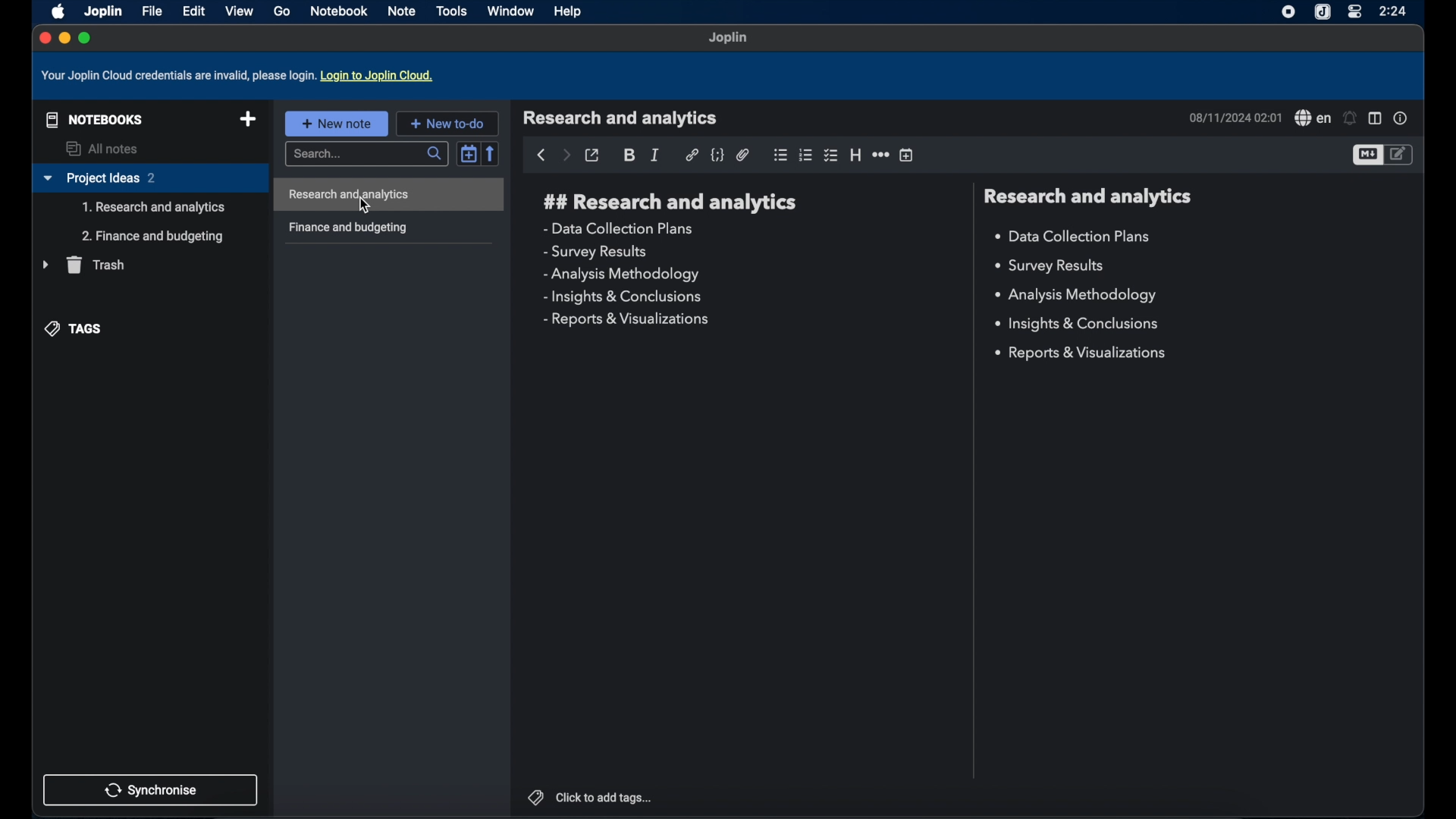 This screenshot has width=1456, height=819. What do you see at coordinates (630, 155) in the screenshot?
I see `bold` at bounding box center [630, 155].